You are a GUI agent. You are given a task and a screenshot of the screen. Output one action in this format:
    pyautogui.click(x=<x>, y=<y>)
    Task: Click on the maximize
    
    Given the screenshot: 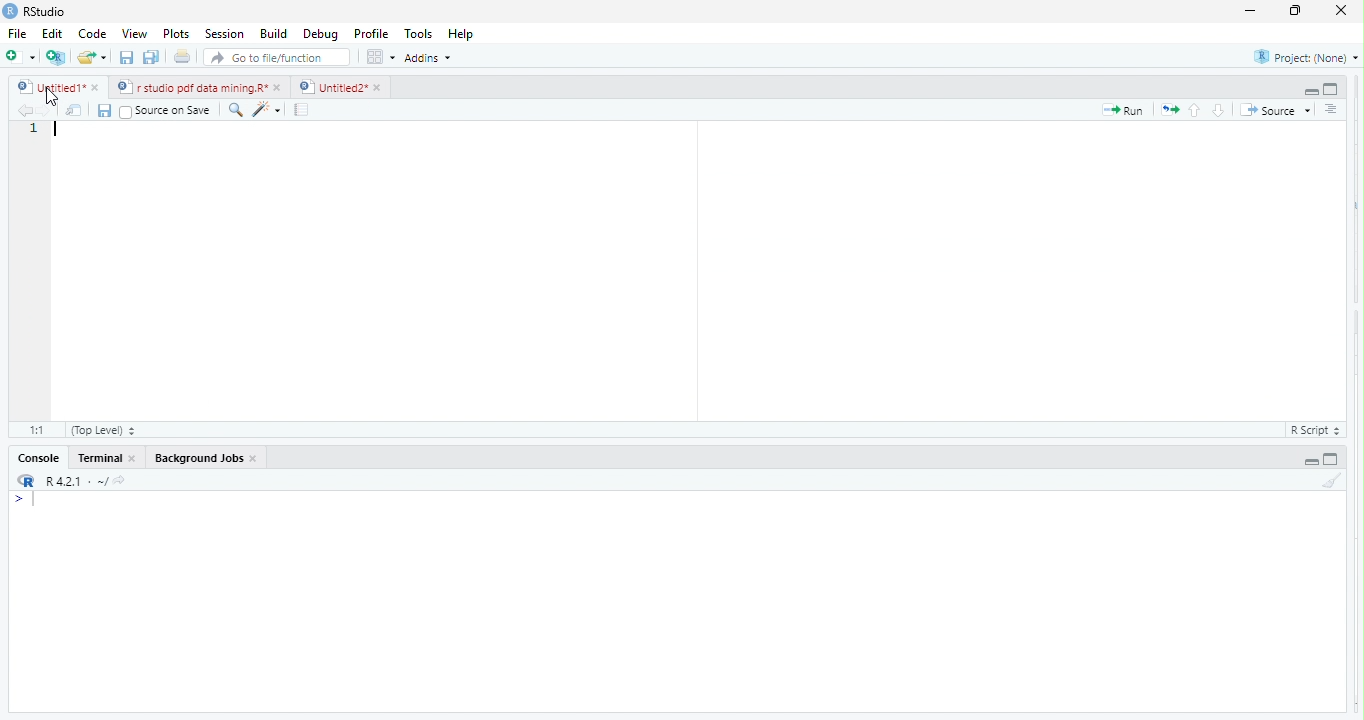 What is the action you would take?
    pyautogui.click(x=1248, y=13)
    